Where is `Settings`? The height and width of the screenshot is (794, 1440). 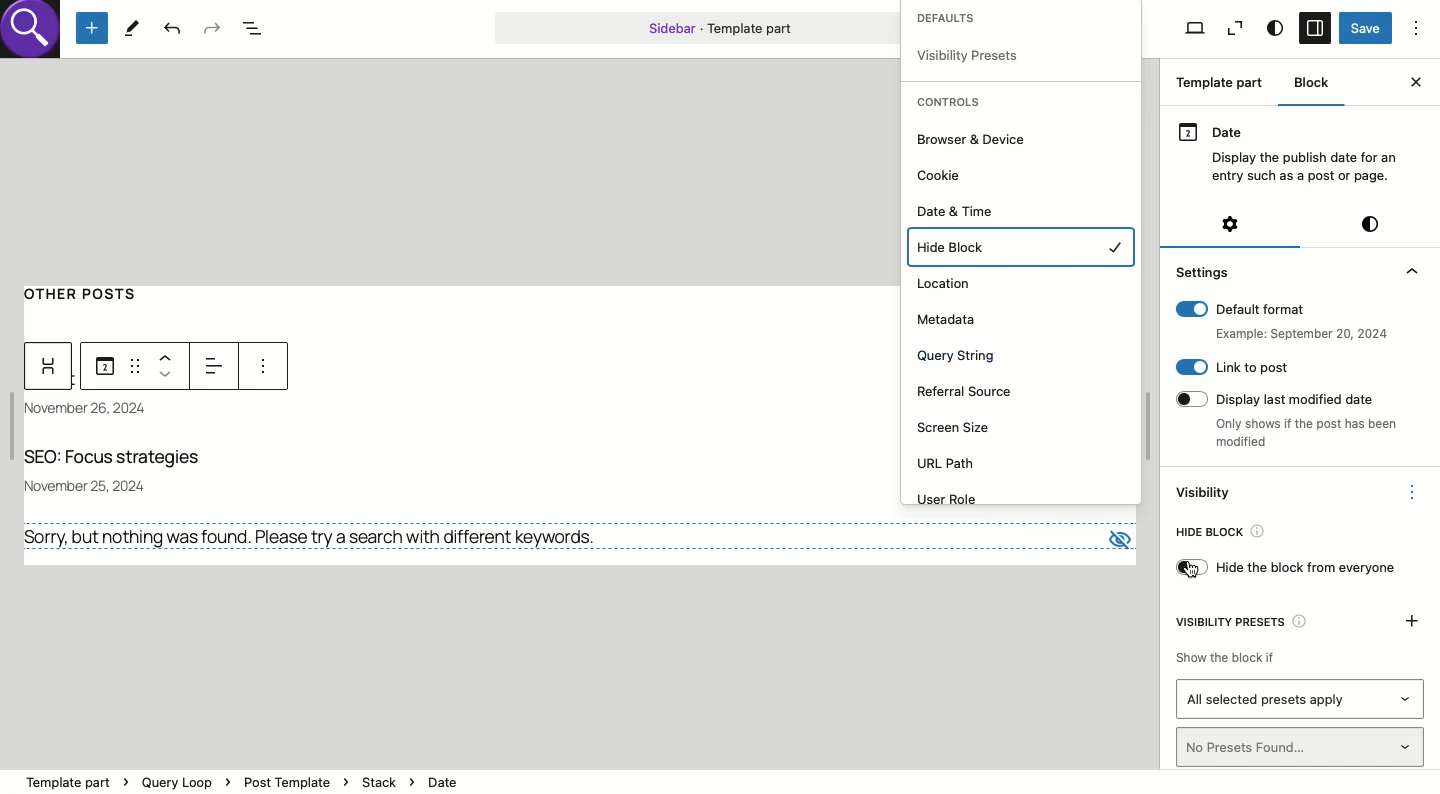
Settings is located at coordinates (1205, 271).